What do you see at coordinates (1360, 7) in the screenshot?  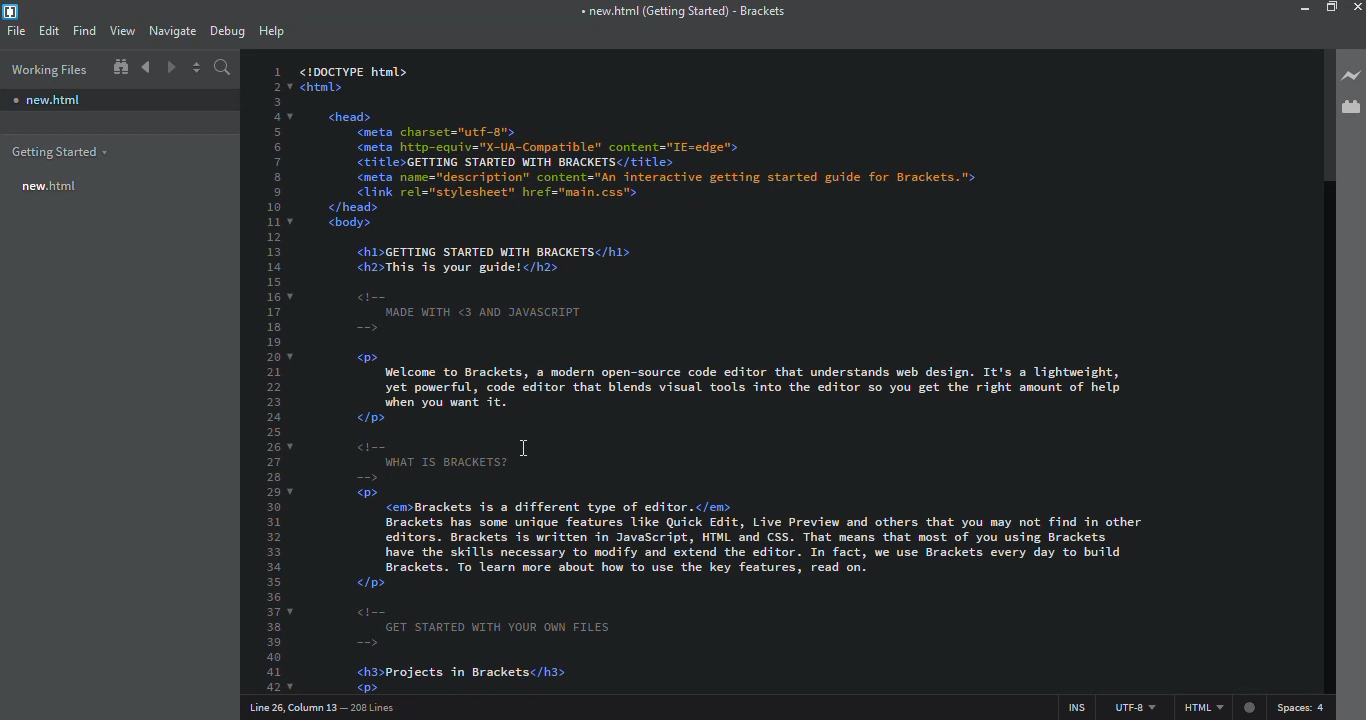 I see `close` at bounding box center [1360, 7].